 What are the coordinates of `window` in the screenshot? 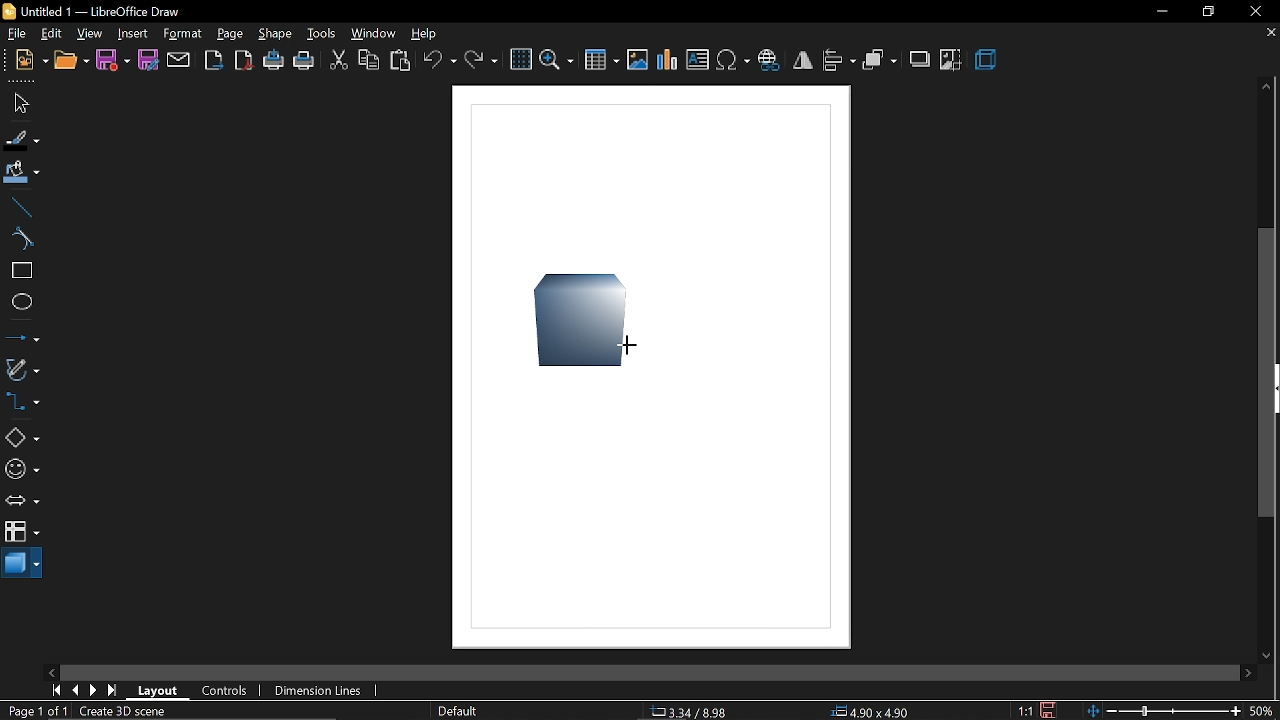 It's located at (377, 33).